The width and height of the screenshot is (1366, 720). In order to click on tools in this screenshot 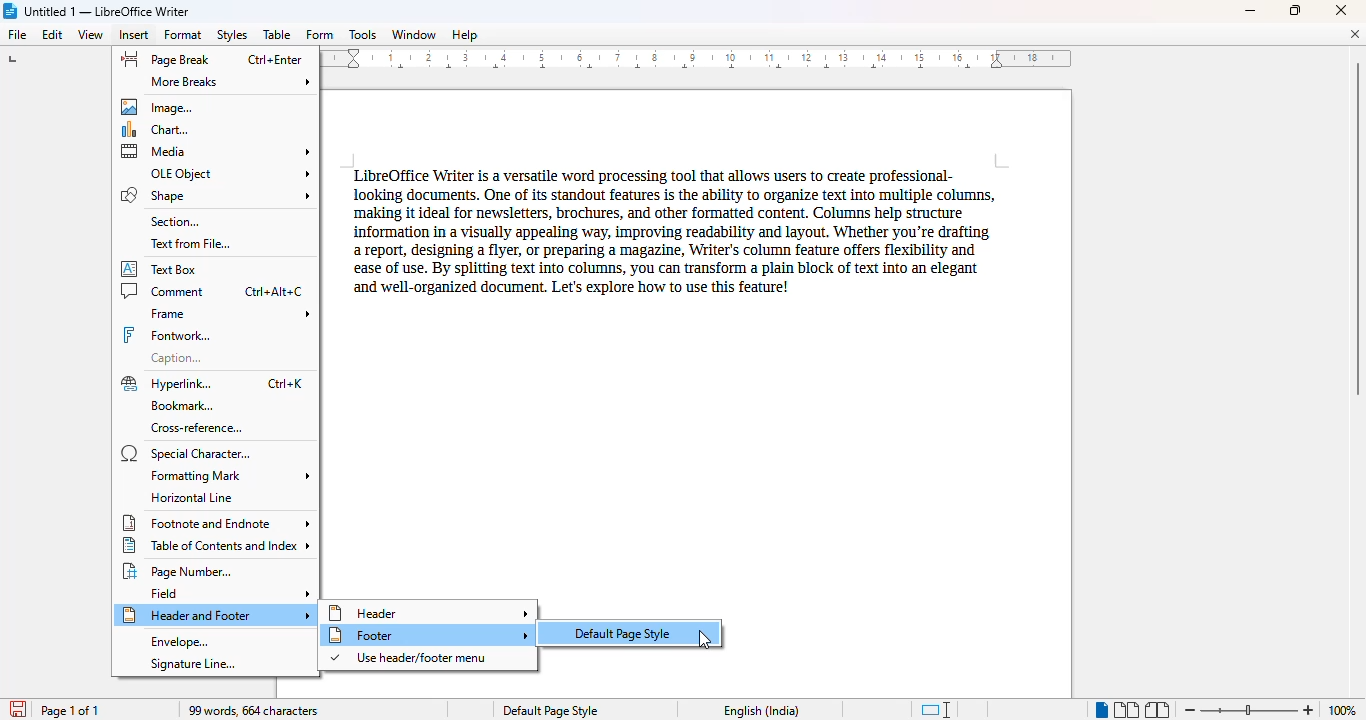, I will do `click(362, 35)`.